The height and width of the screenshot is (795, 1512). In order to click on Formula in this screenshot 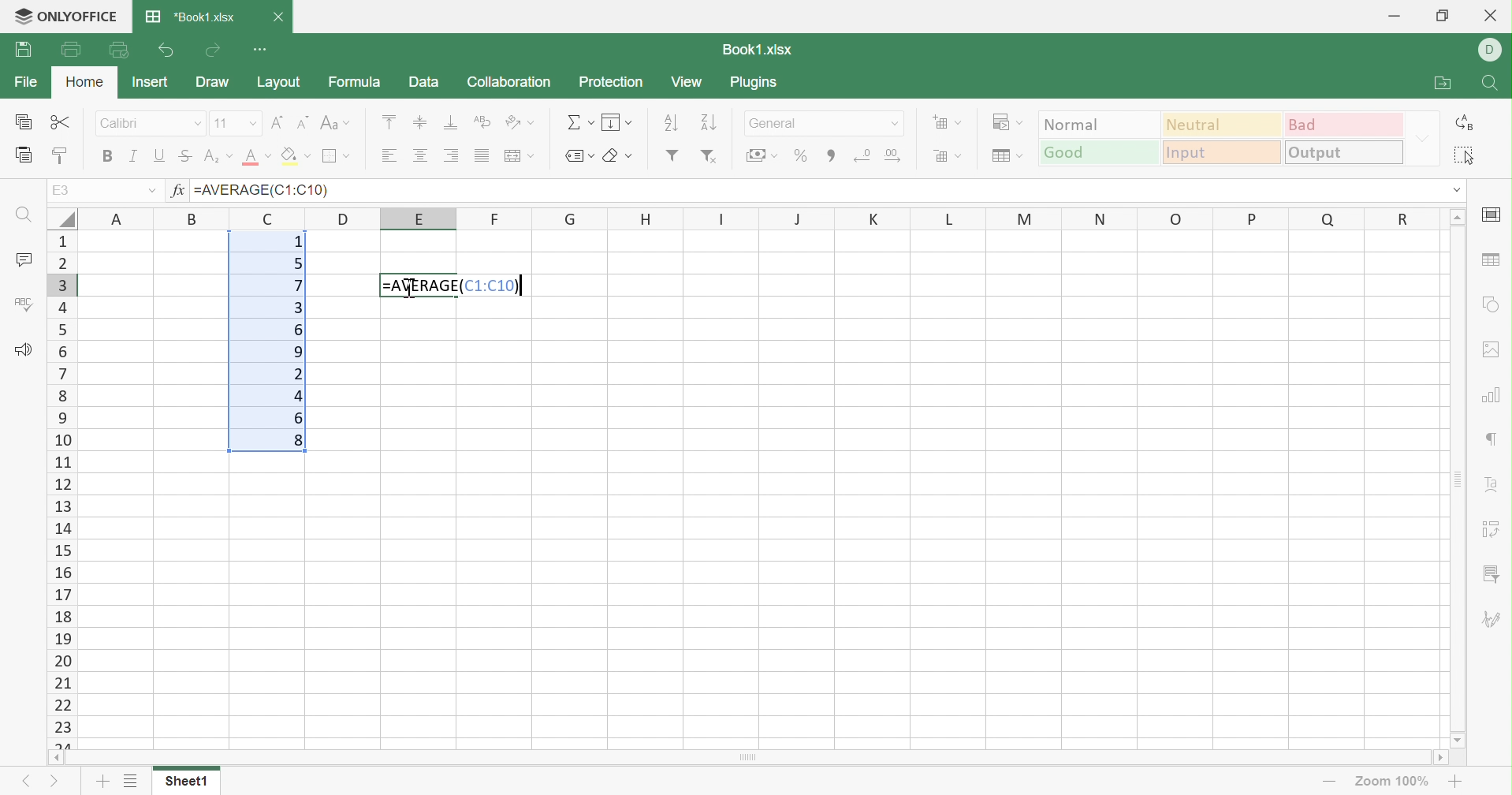, I will do `click(360, 83)`.